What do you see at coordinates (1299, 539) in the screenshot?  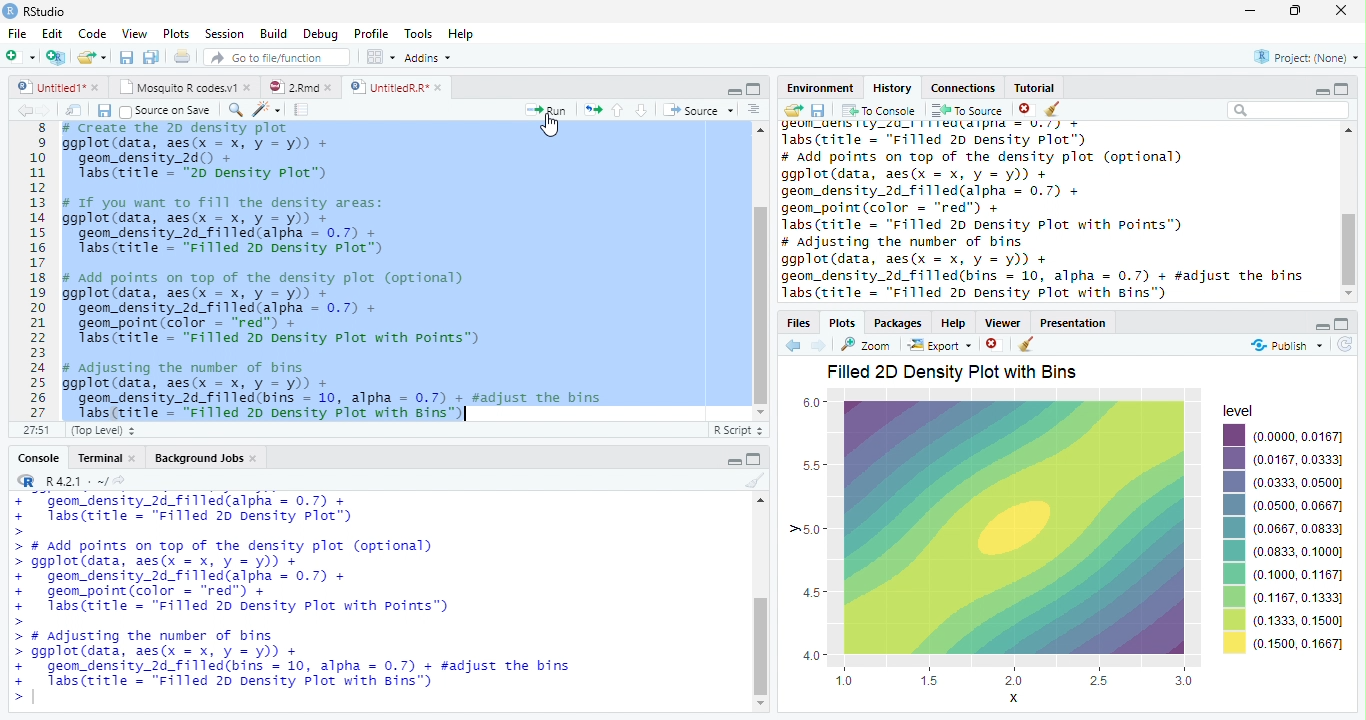 I see `(0.0000, 0.0167]
(0.0167,0.0333]
(0.0333,0,0500]
(0.0500,0.0667)
(0.0867, 0.0833)
(0.0833,0.1000)
(0.1000,0.1167)
(0.1167,0.1333]
(0.1333,0.1500]
0.1500, 0.1667]` at bounding box center [1299, 539].